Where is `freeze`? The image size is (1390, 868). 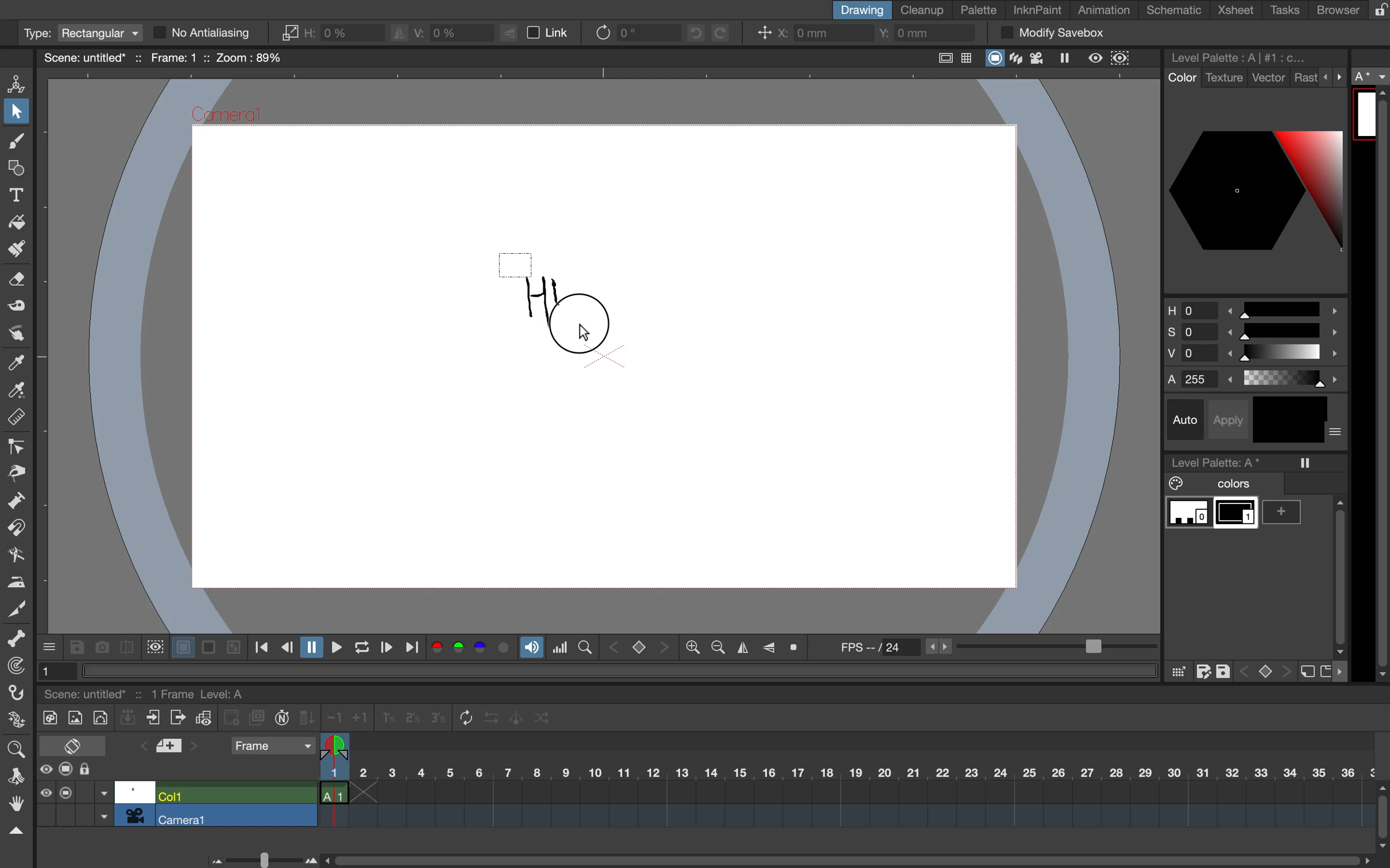
freeze is located at coordinates (1306, 463).